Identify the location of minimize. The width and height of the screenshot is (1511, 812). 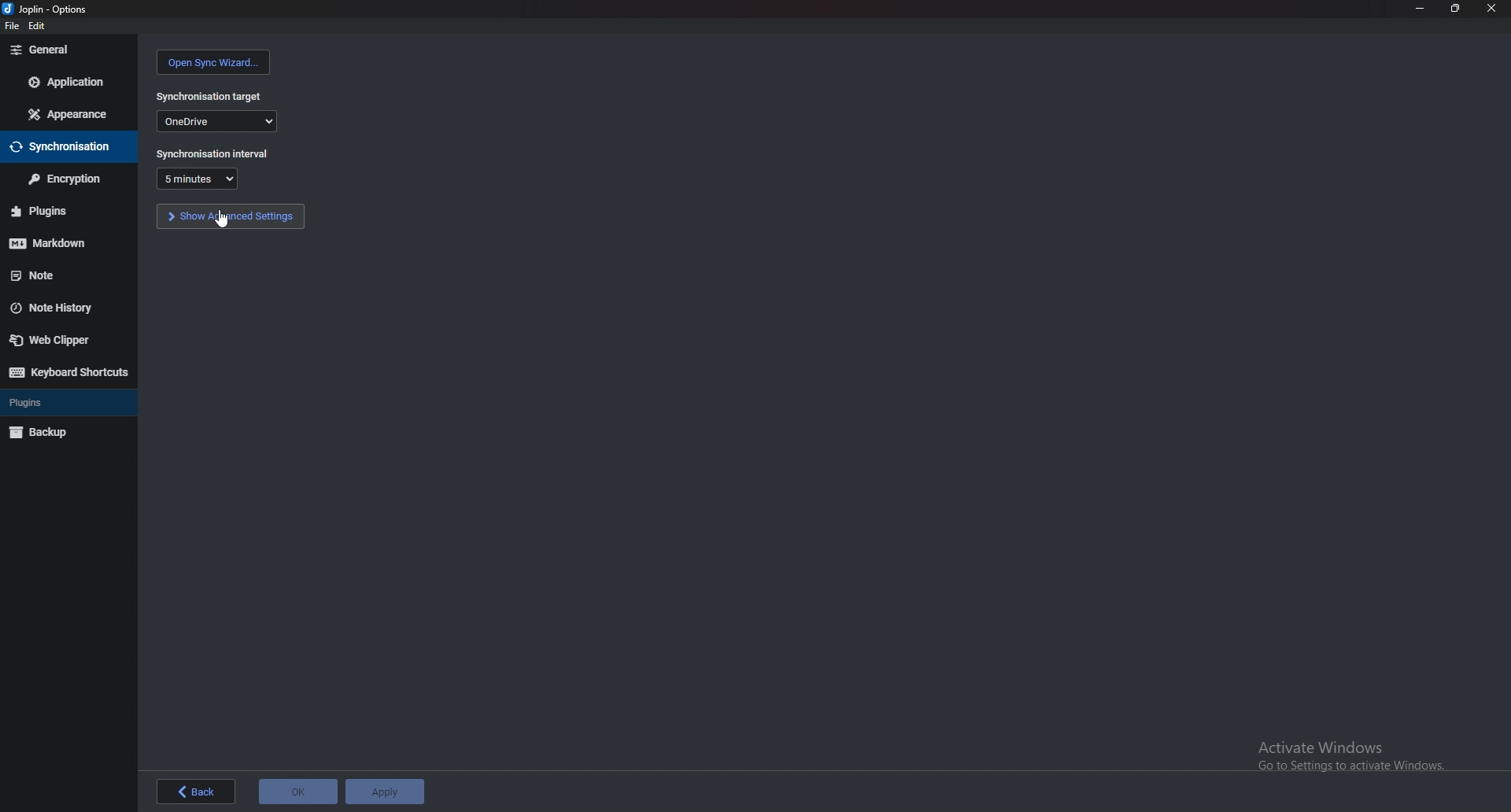
(1420, 9).